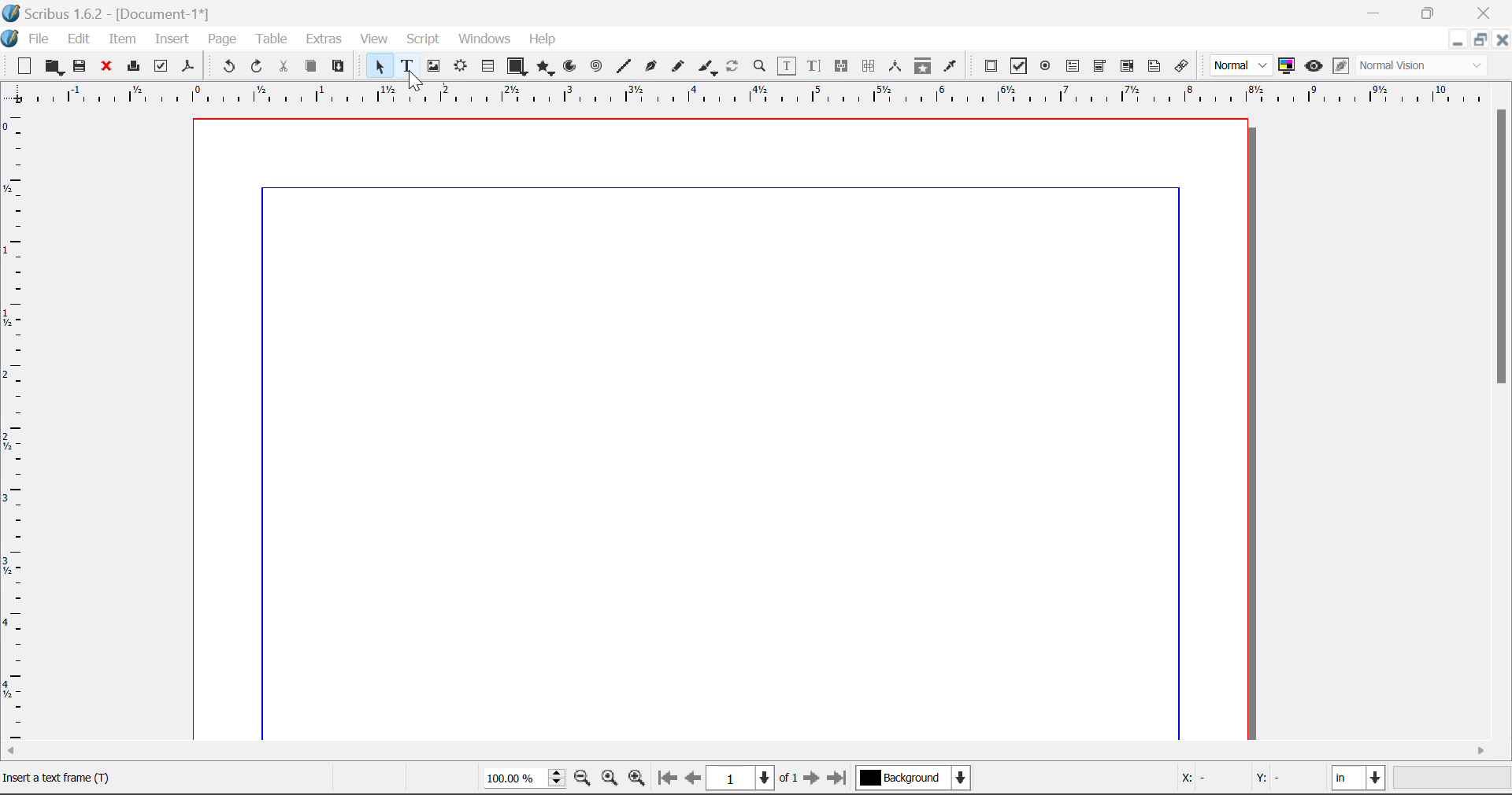 This screenshot has width=1512, height=795. What do you see at coordinates (1485, 13) in the screenshot?
I see `Close` at bounding box center [1485, 13].